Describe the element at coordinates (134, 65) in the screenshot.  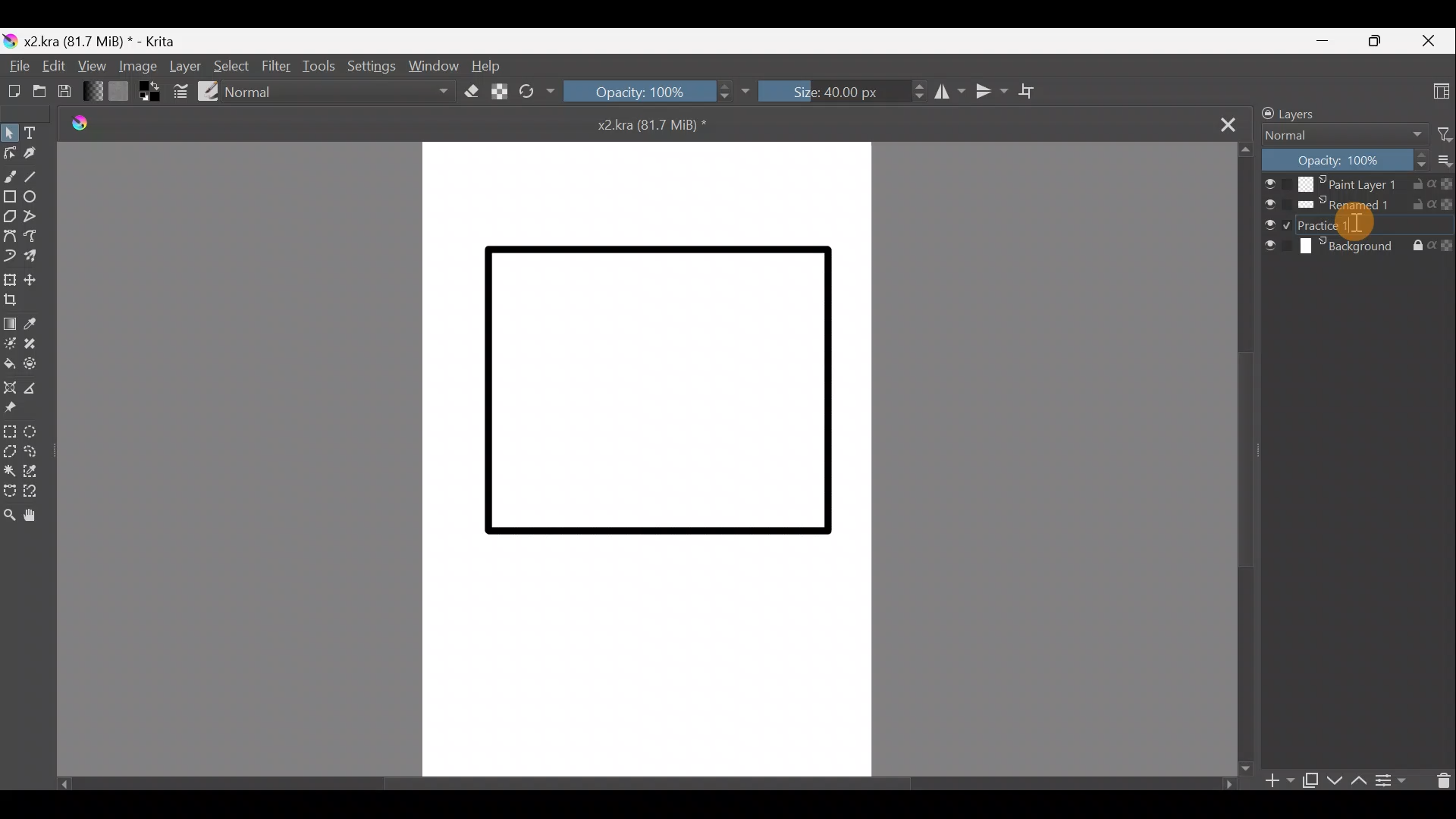
I see `Image` at that location.